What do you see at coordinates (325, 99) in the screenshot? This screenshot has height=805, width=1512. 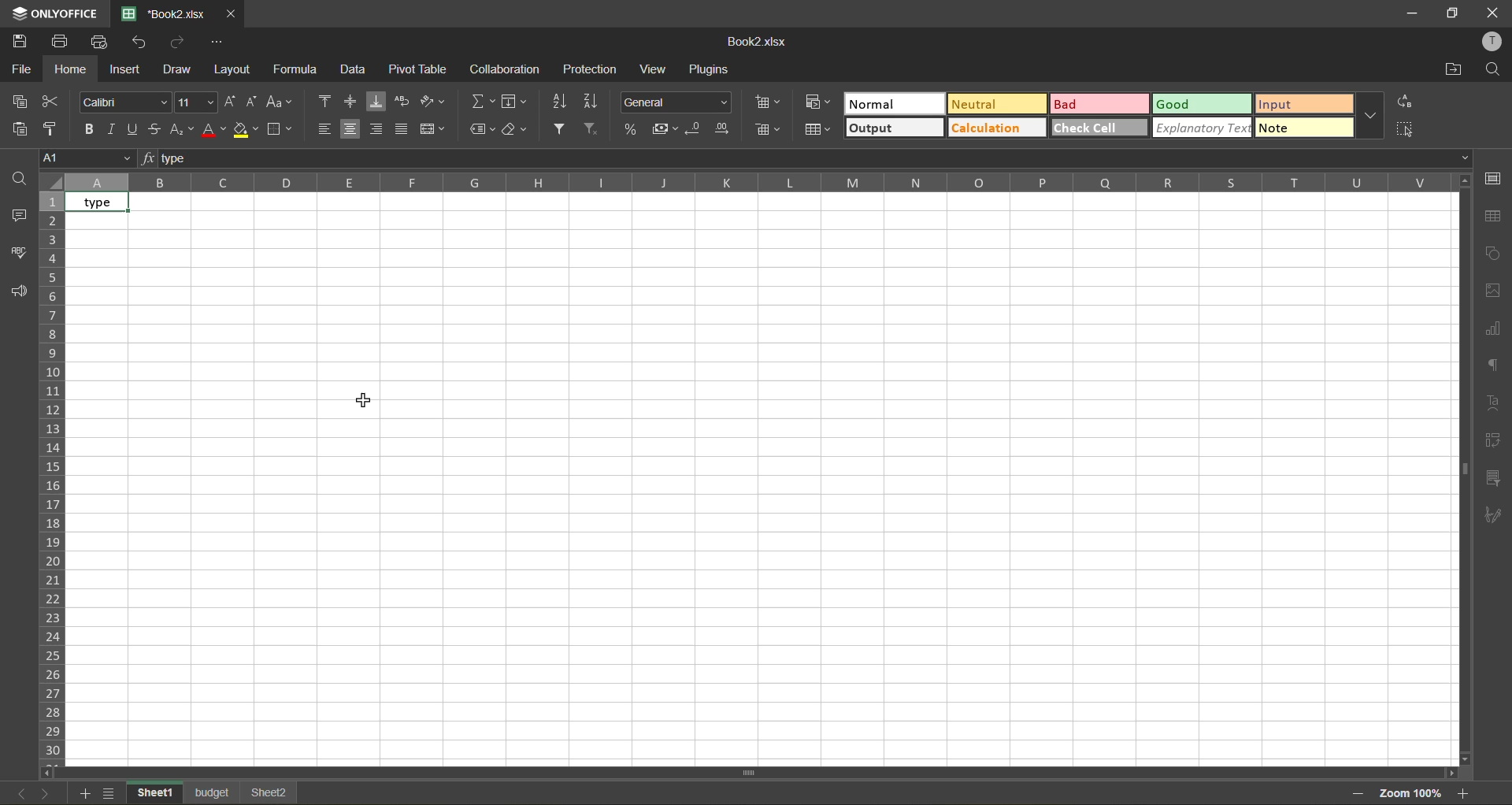 I see `align top` at bounding box center [325, 99].